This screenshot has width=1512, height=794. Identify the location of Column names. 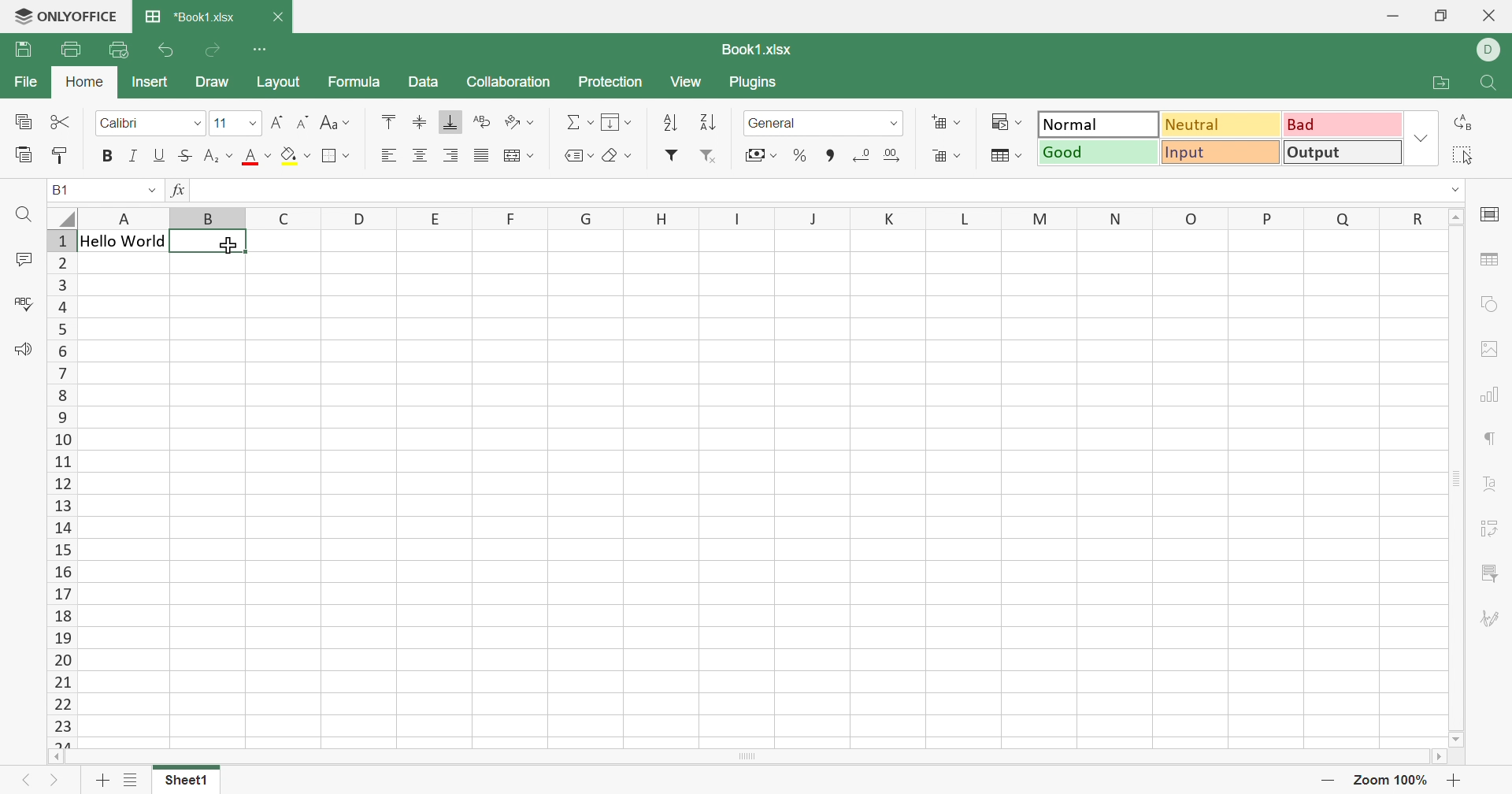
(754, 217).